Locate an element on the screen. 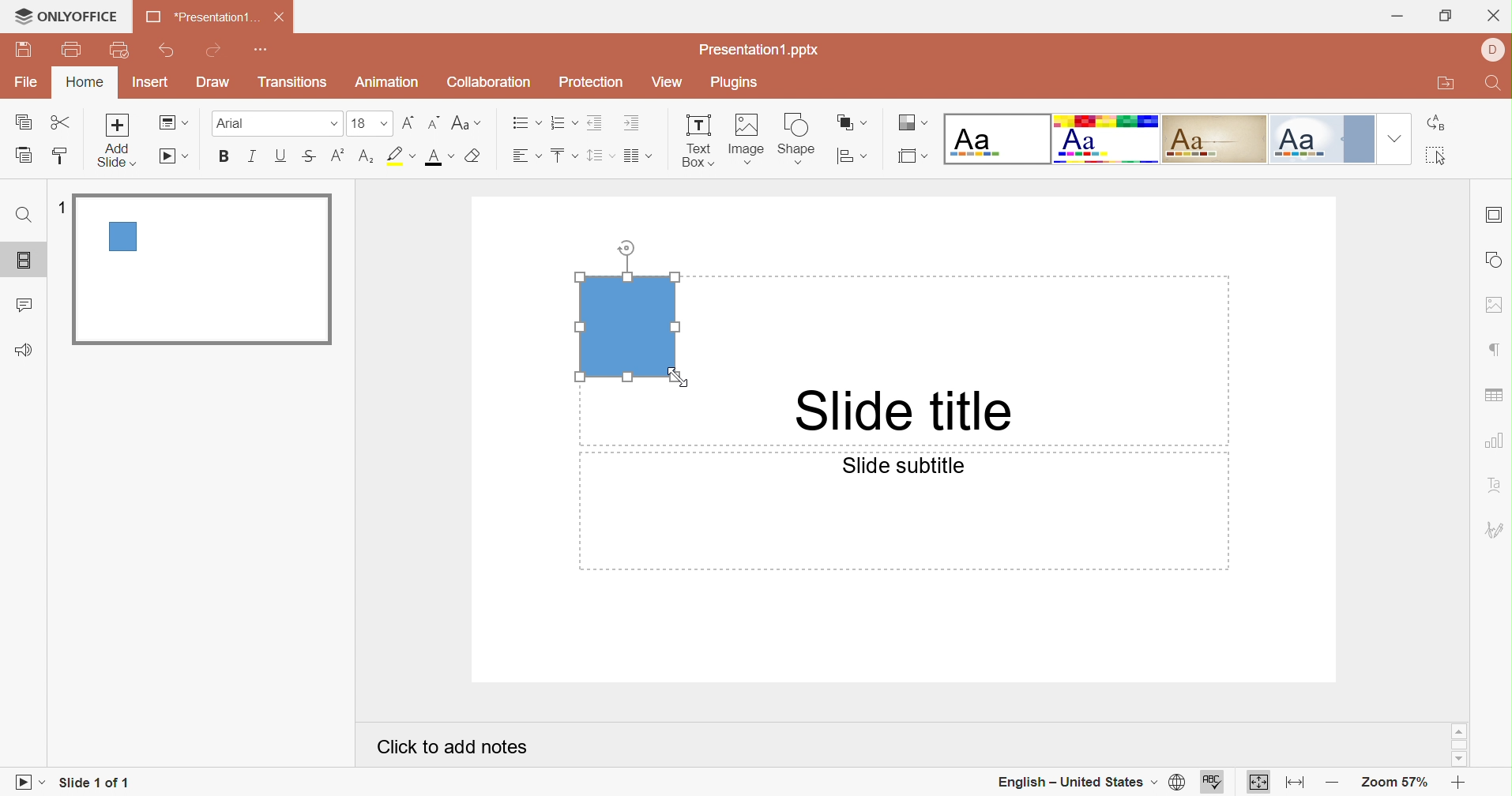 The width and height of the screenshot is (1512, 796). Find is located at coordinates (1494, 84).